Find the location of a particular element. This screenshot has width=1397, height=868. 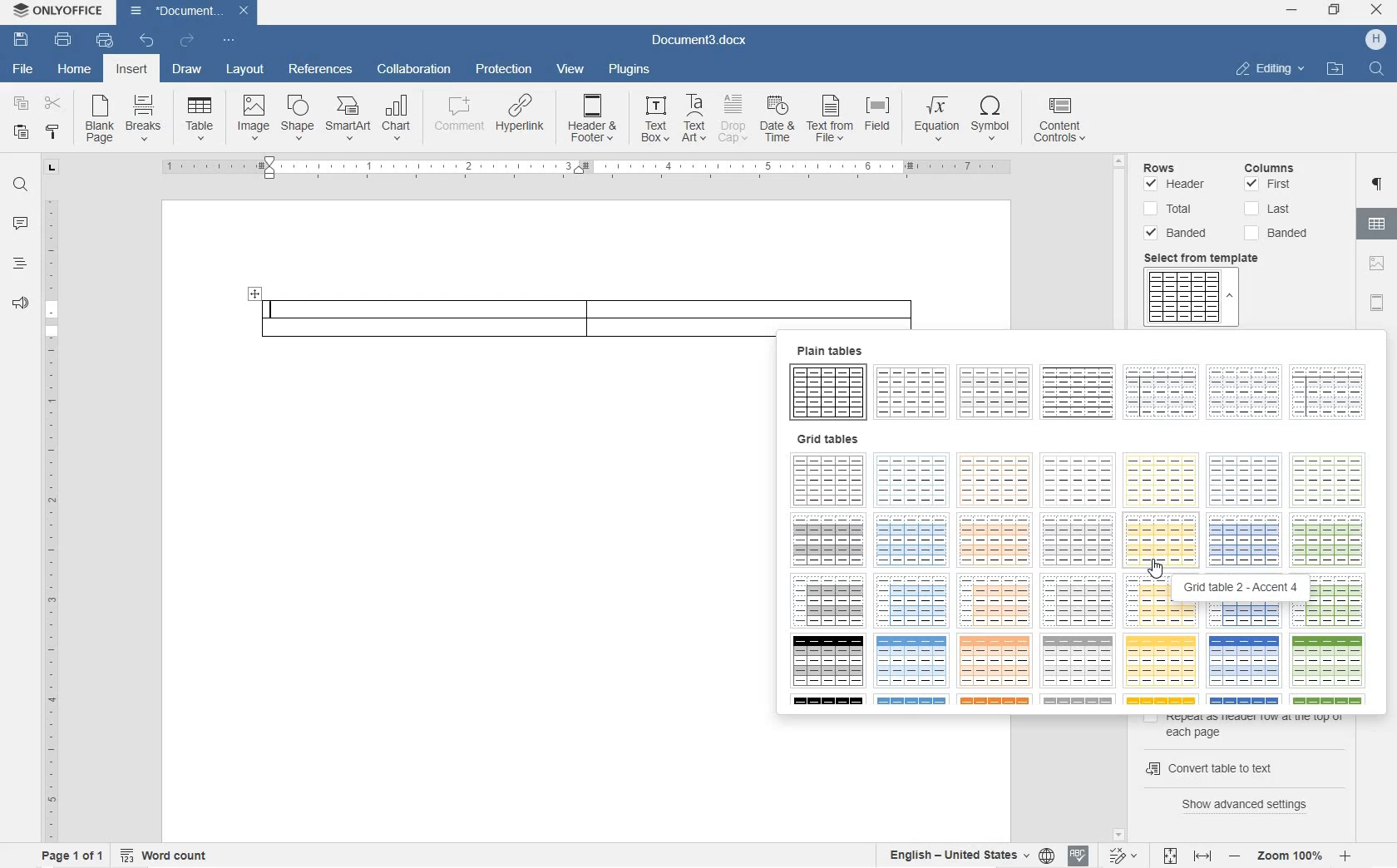

UNDO is located at coordinates (147, 42).